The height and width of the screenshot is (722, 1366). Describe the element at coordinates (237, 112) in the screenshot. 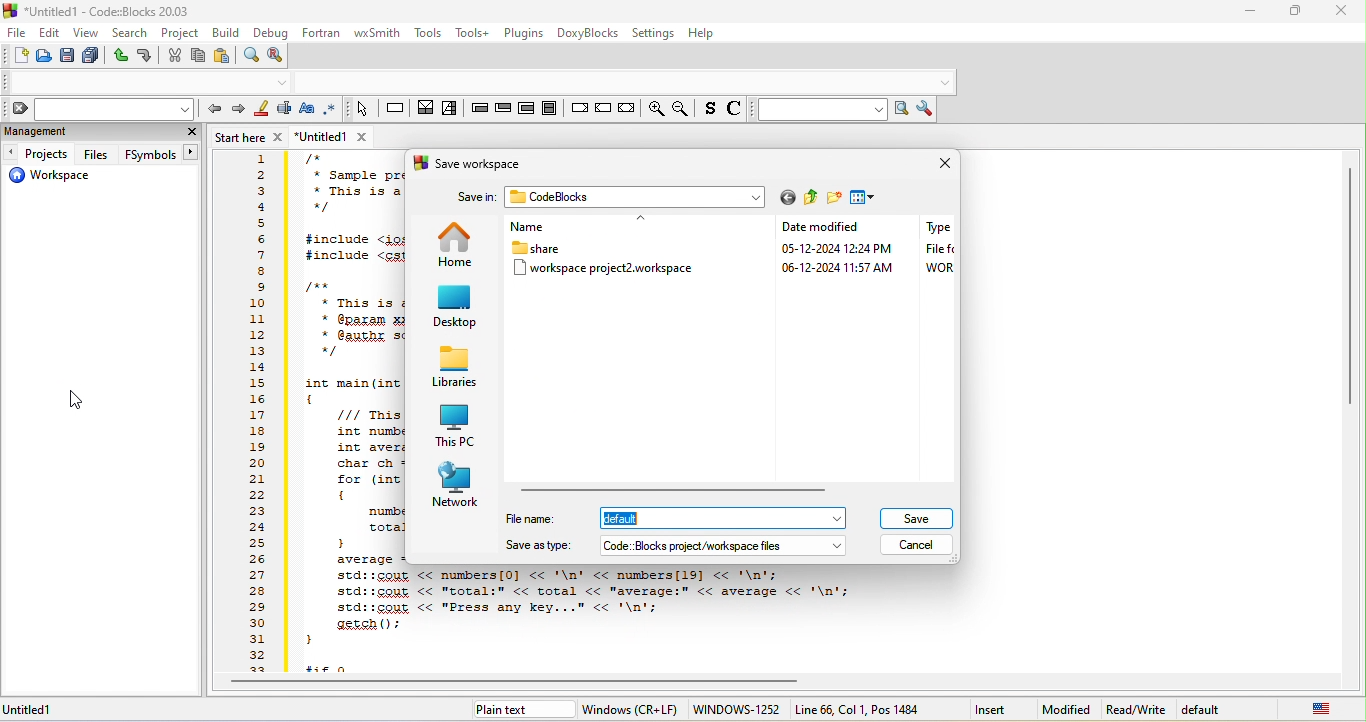

I see `next` at that location.